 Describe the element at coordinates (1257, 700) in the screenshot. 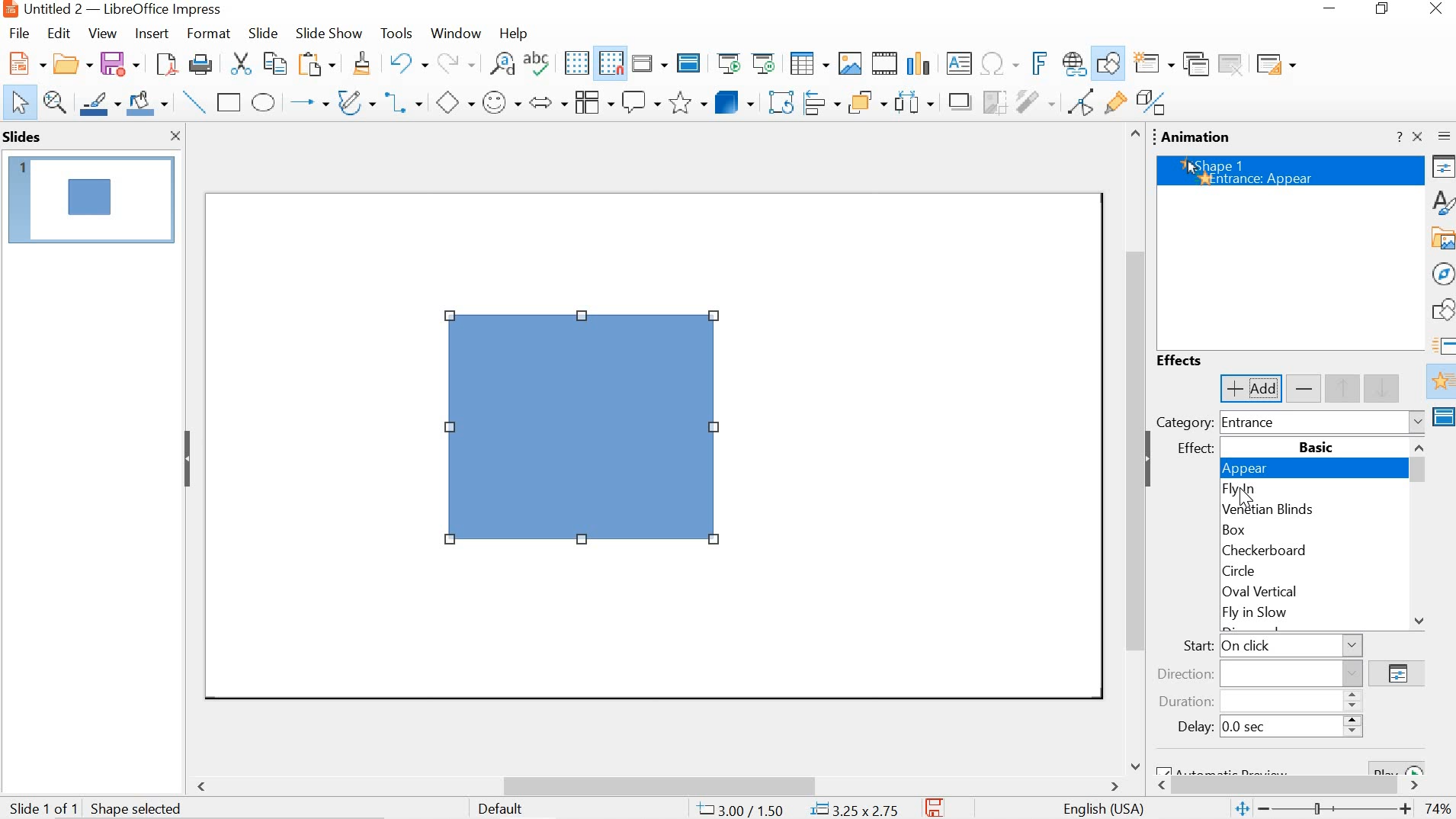

I see `duration` at that location.